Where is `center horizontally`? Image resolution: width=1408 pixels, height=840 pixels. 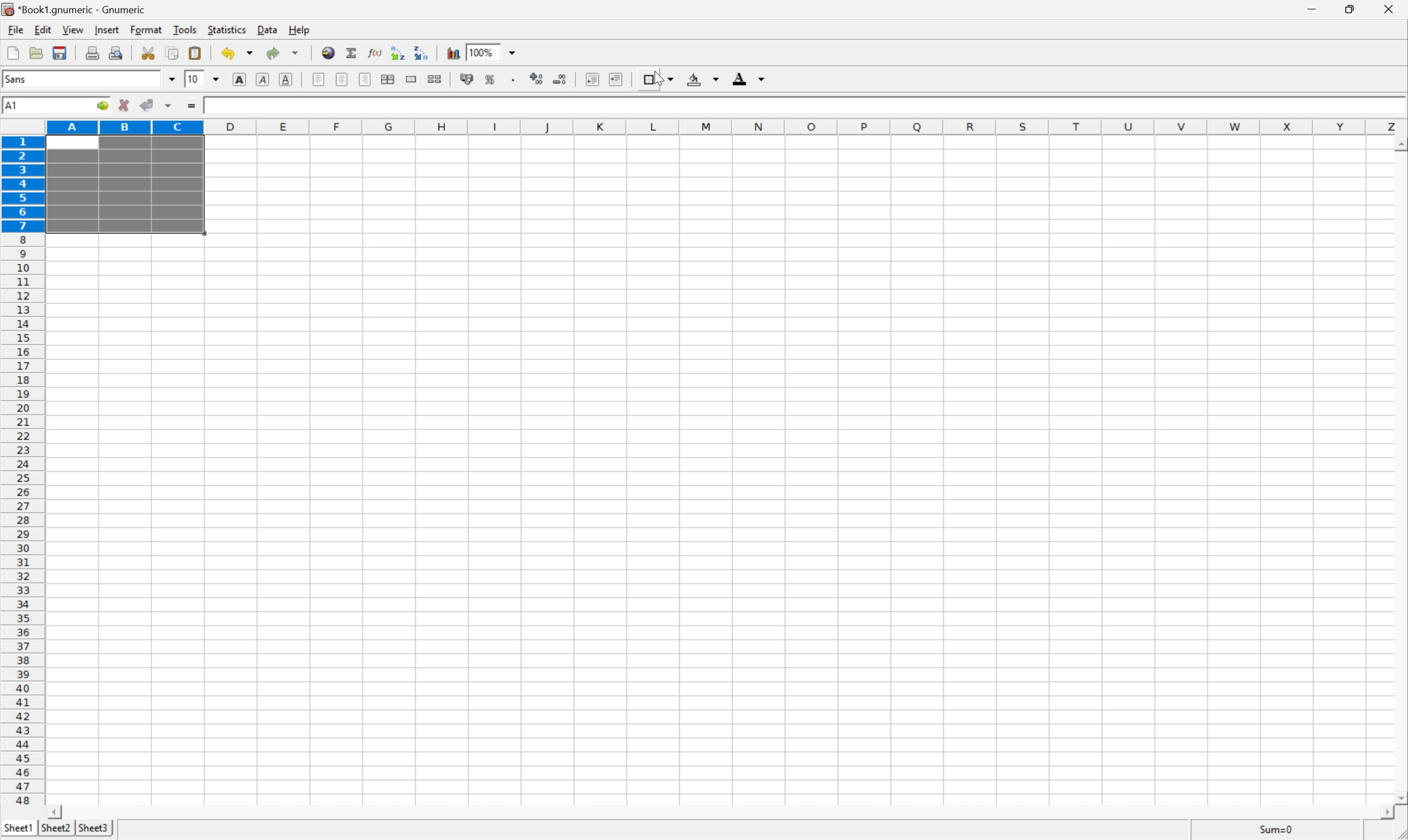 center horizontally is located at coordinates (343, 80).